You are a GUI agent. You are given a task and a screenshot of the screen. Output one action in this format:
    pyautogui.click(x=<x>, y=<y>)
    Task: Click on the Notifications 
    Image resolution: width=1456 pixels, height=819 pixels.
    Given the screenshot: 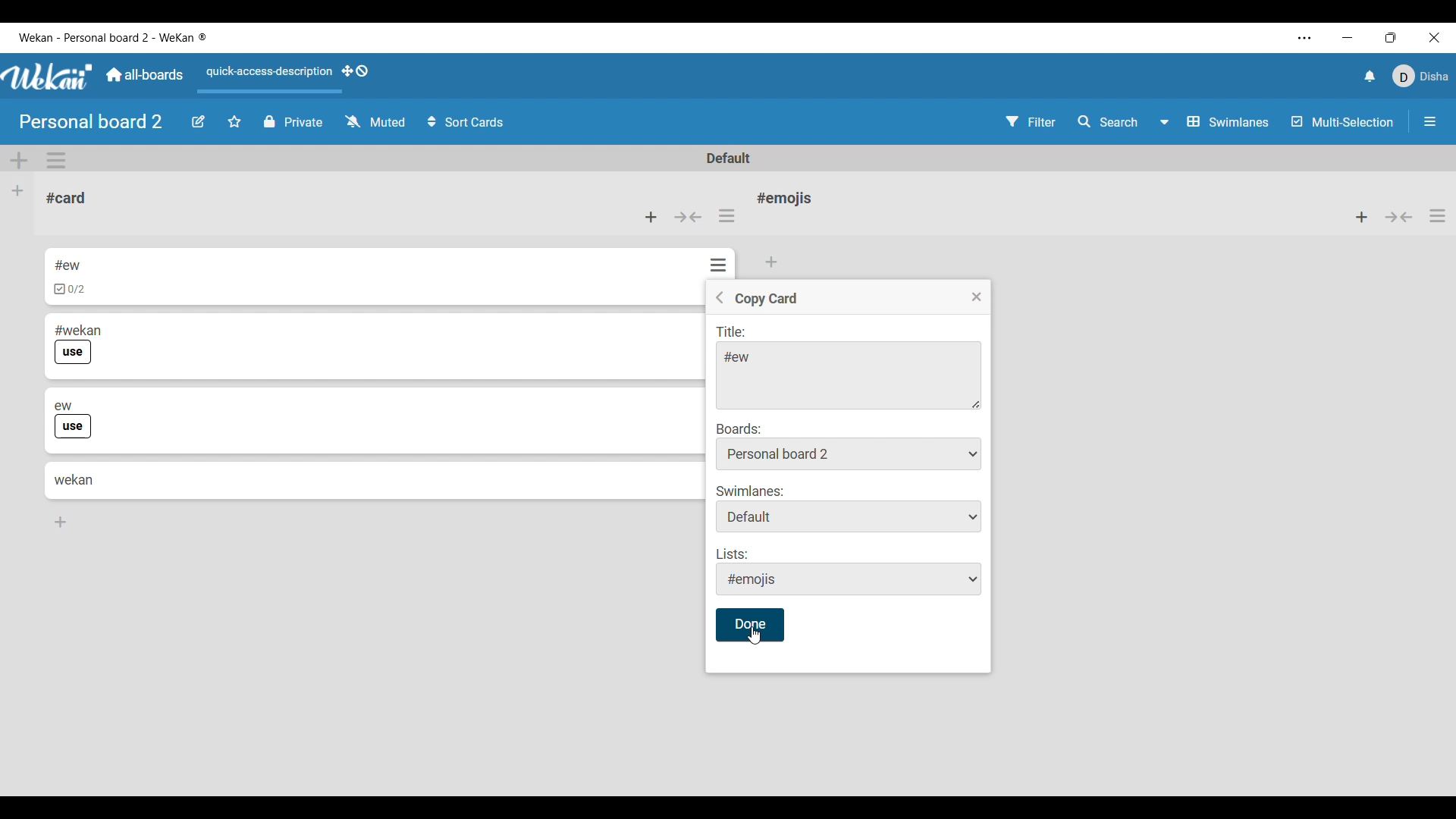 What is the action you would take?
    pyautogui.click(x=1370, y=76)
    